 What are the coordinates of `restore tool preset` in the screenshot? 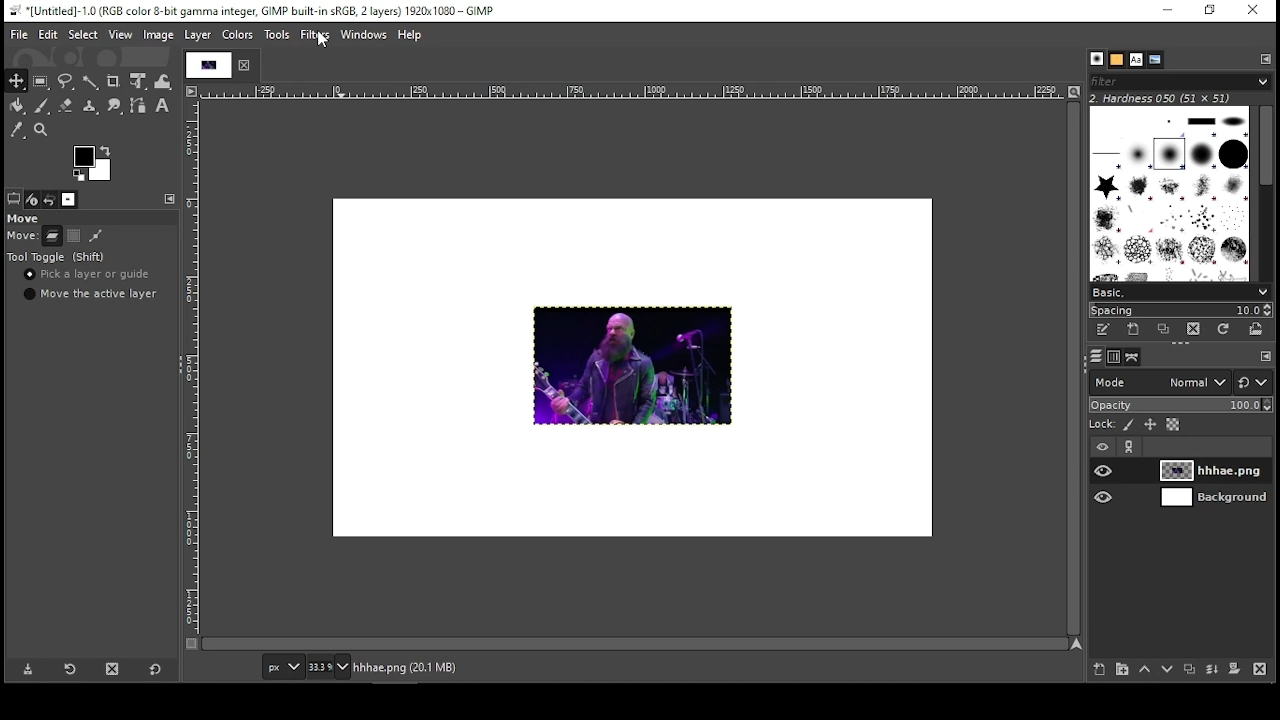 It's located at (70, 669).